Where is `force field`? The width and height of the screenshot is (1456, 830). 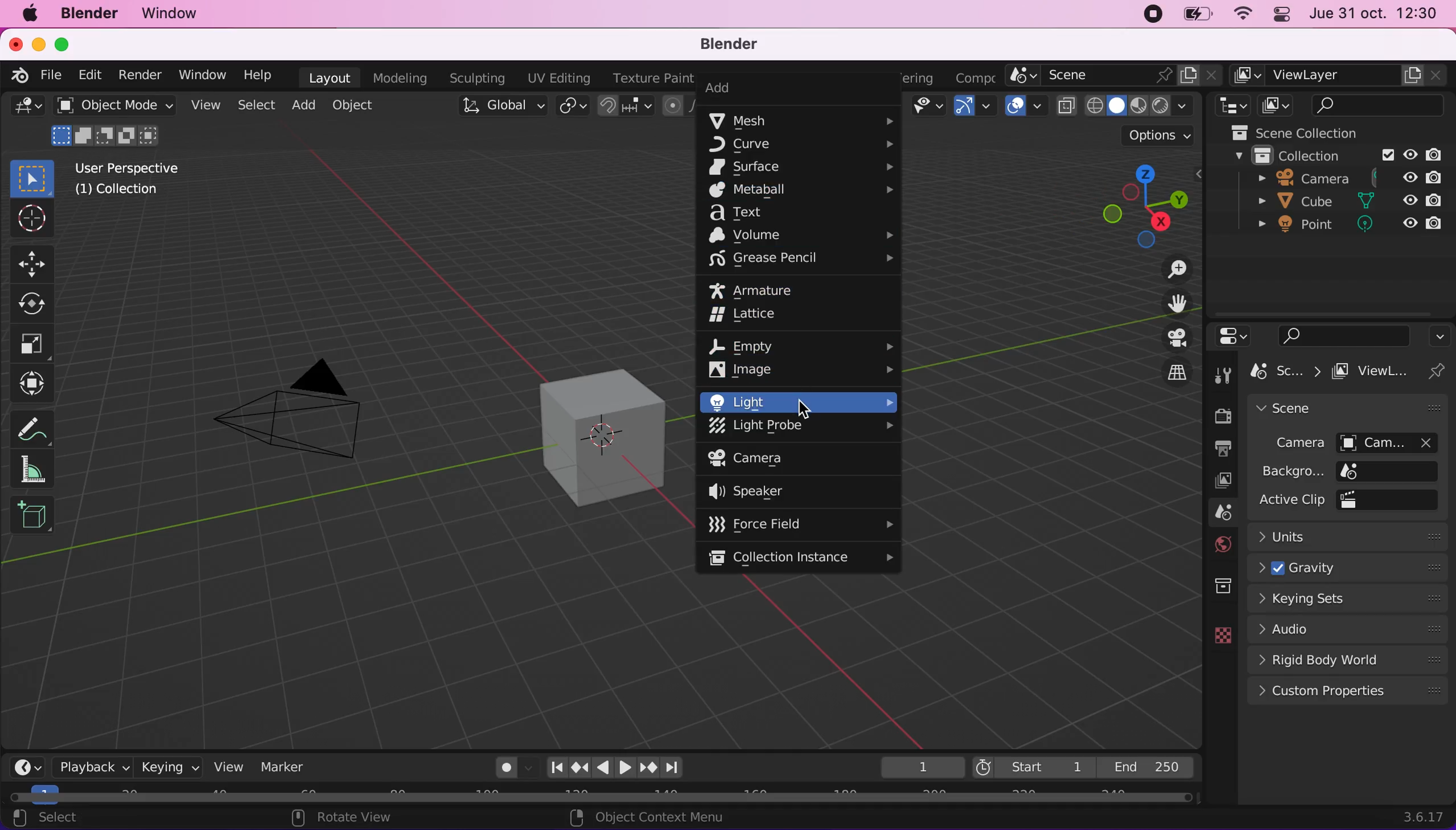
force field is located at coordinates (800, 524).